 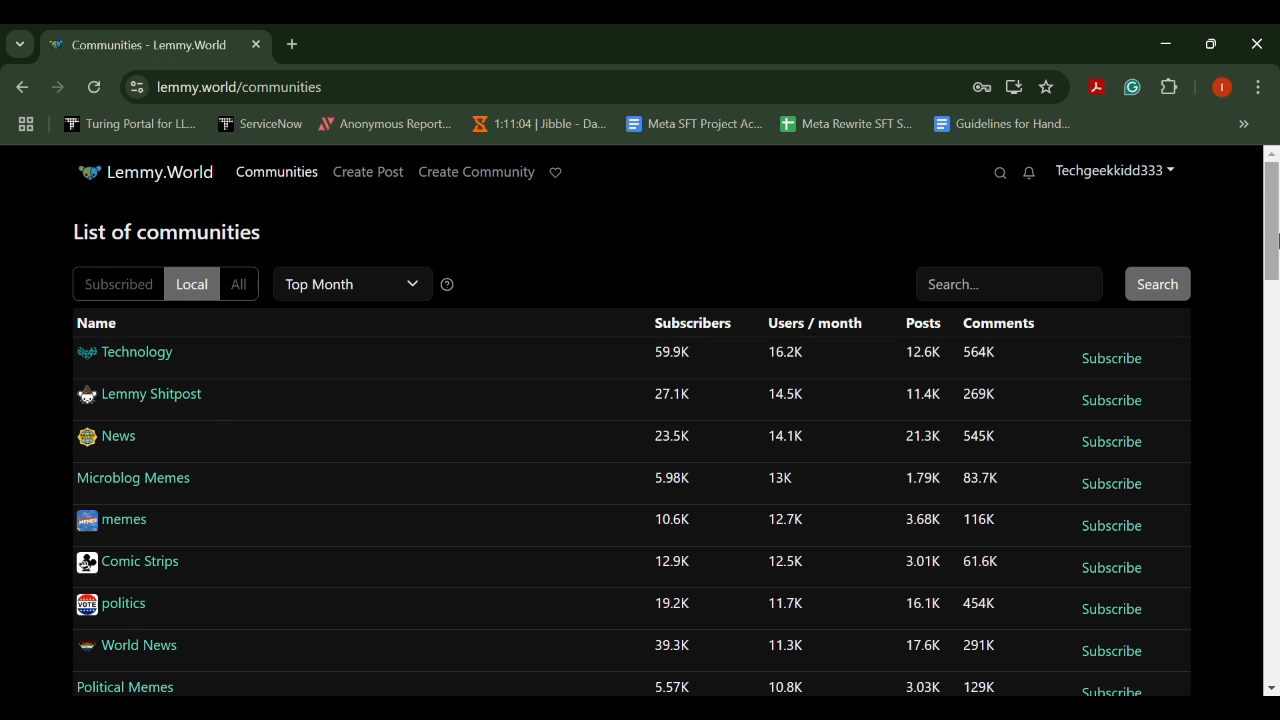 What do you see at coordinates (922, 646) in the screenshot?
I see `17.6K` at bounding box center [922, 646].